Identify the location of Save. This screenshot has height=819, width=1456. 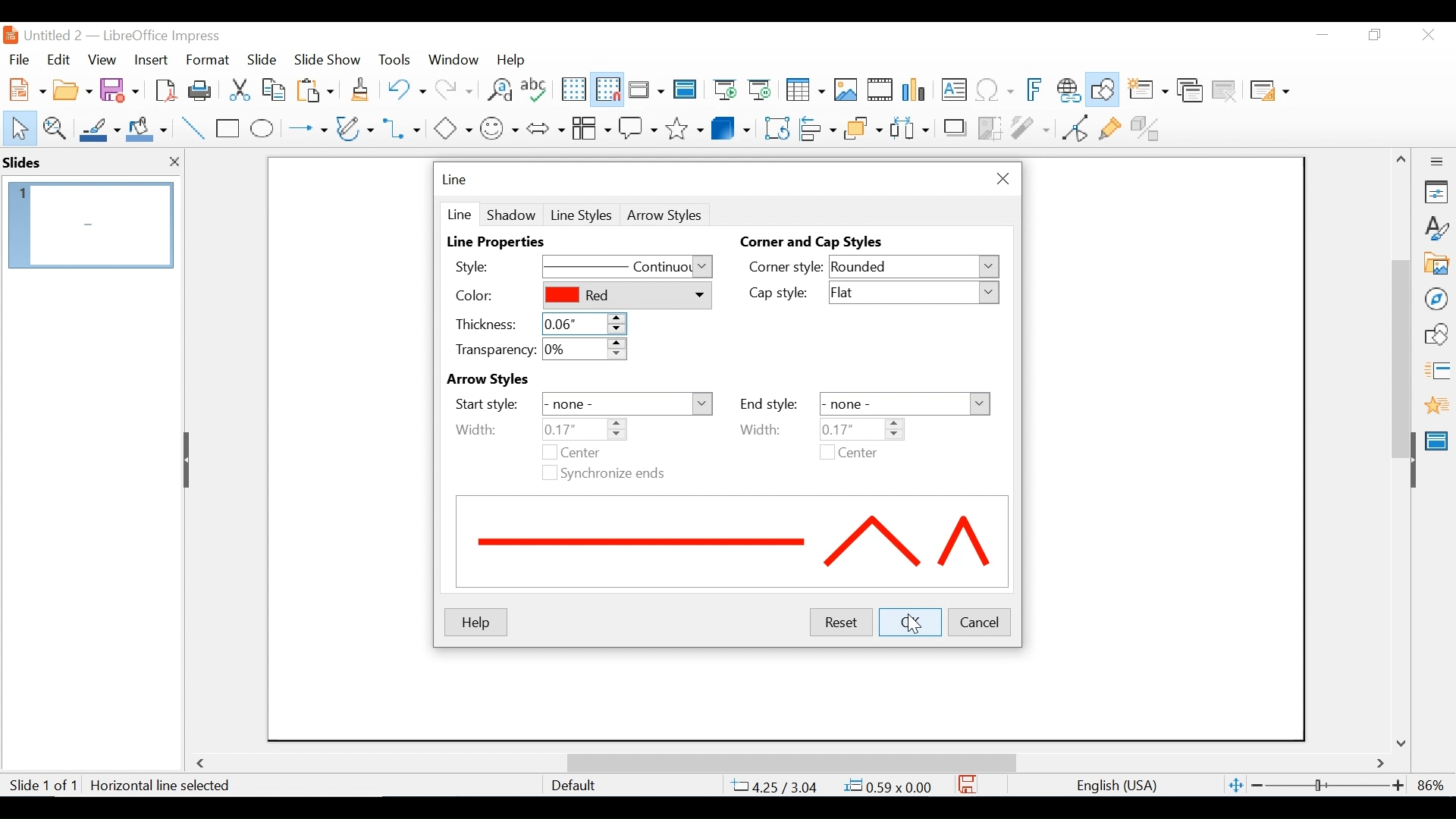
(968, 784).